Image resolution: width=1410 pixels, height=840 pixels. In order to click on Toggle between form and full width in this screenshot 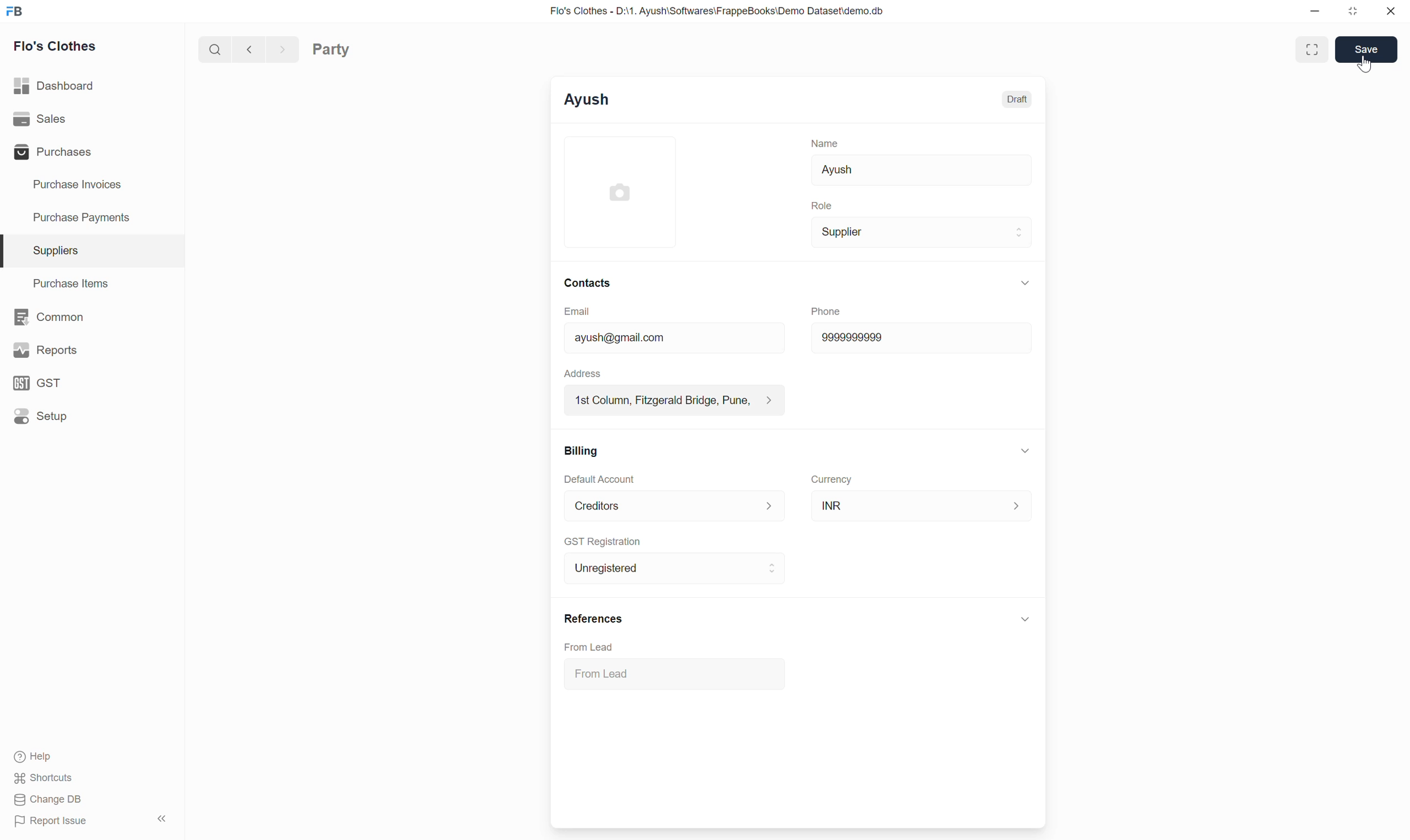, I will do `click(1311, 49)`.